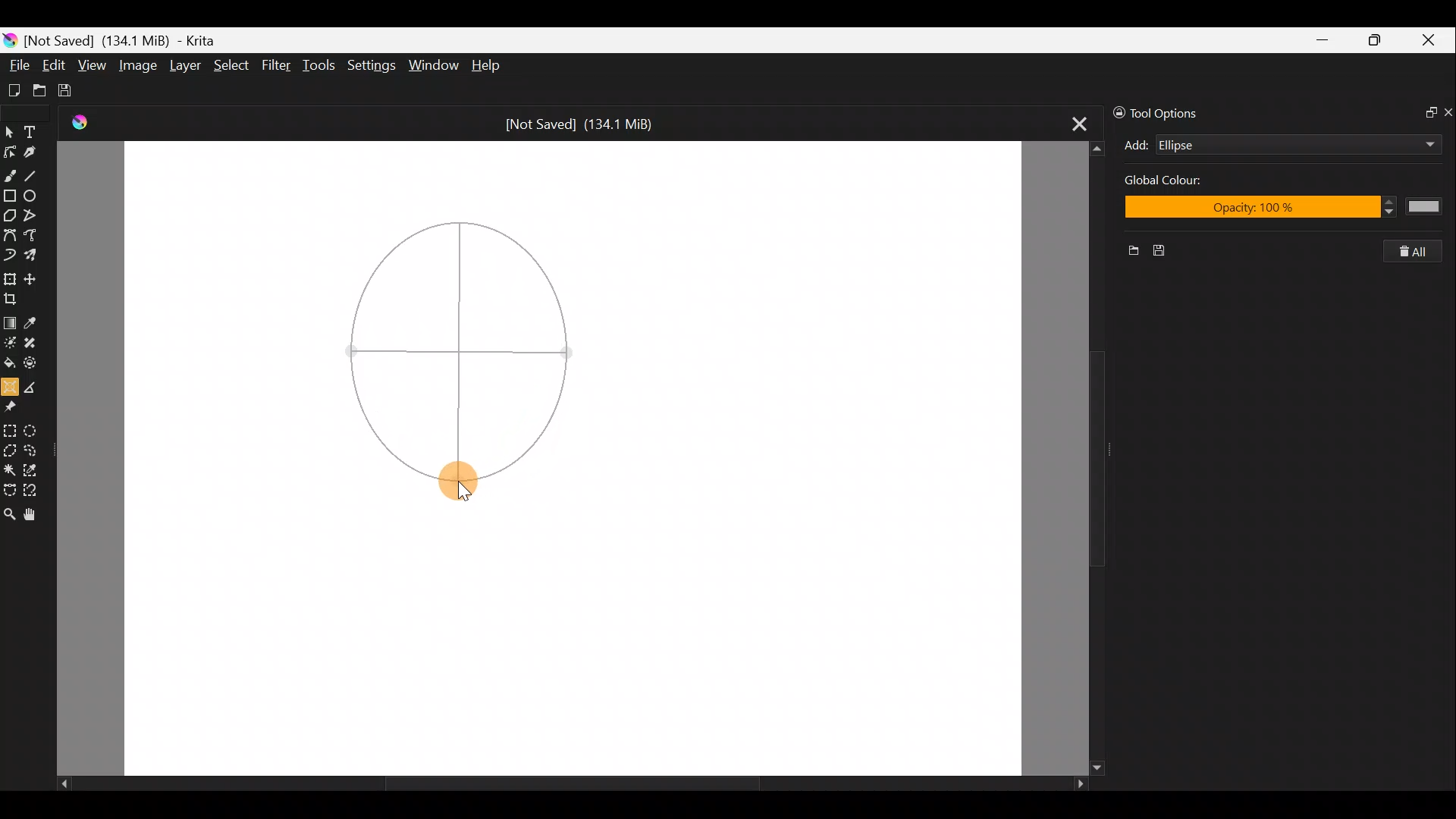 The height and width of the screenshot is (819, 1456). What do you see at coordinates (322, 67) in the screenshot?
I see `Tools` at bounding box center [322, 67].